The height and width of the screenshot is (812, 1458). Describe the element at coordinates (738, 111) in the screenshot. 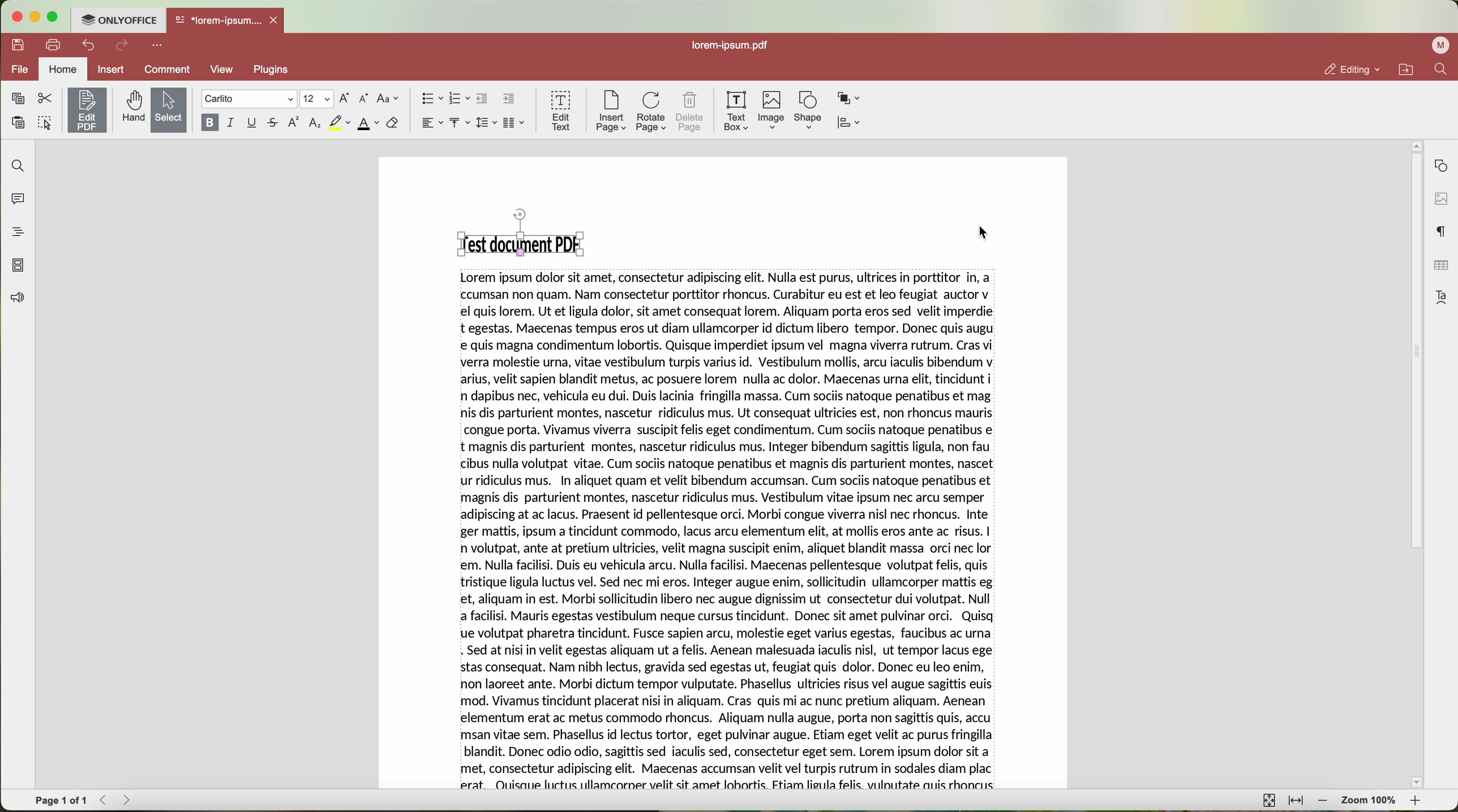

I see `text box` at that location.